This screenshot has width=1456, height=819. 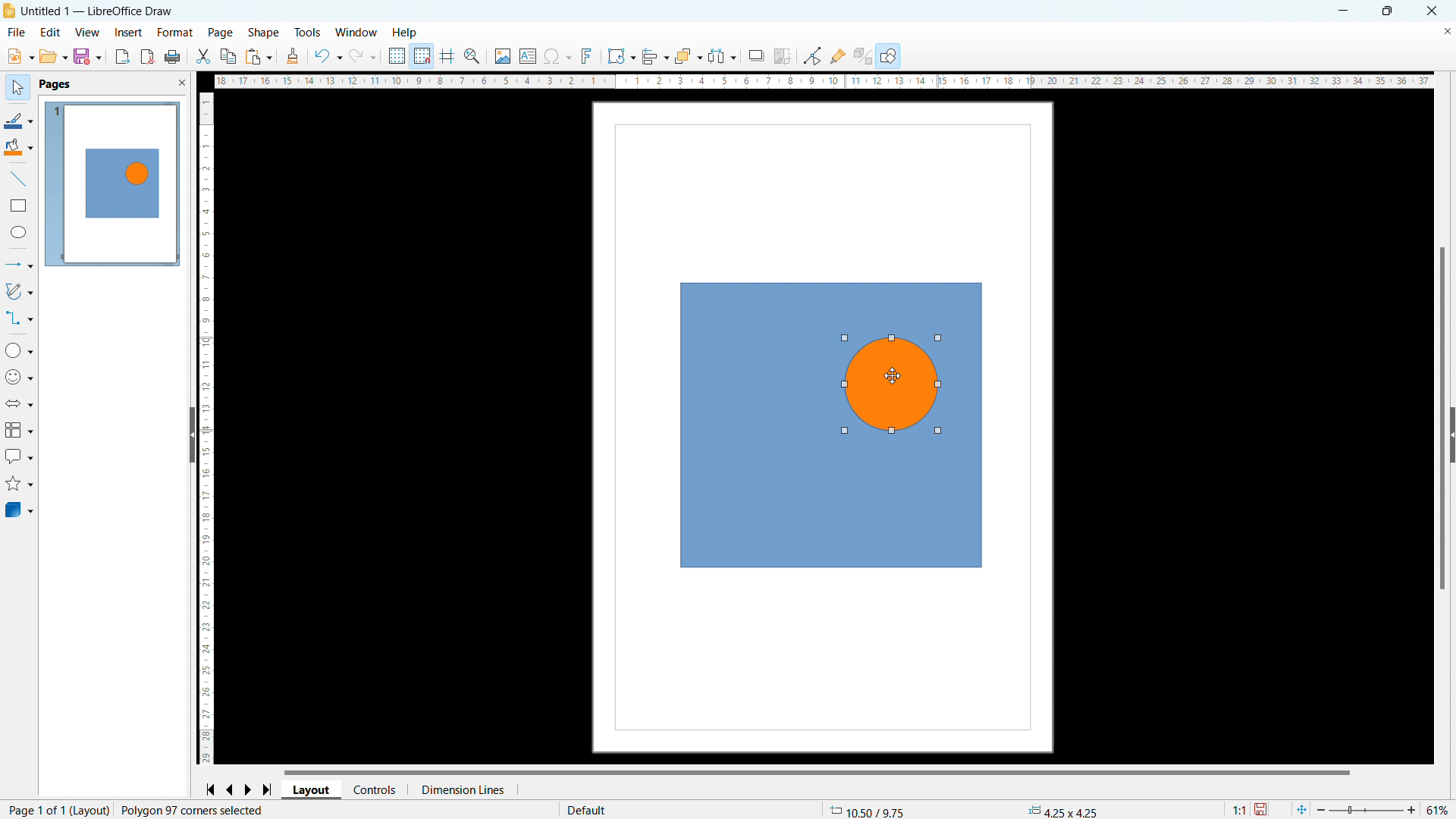 What do you see at coordinates (228, 56) in the screenshot?
I see `copy` at bounding box center [228, 56].